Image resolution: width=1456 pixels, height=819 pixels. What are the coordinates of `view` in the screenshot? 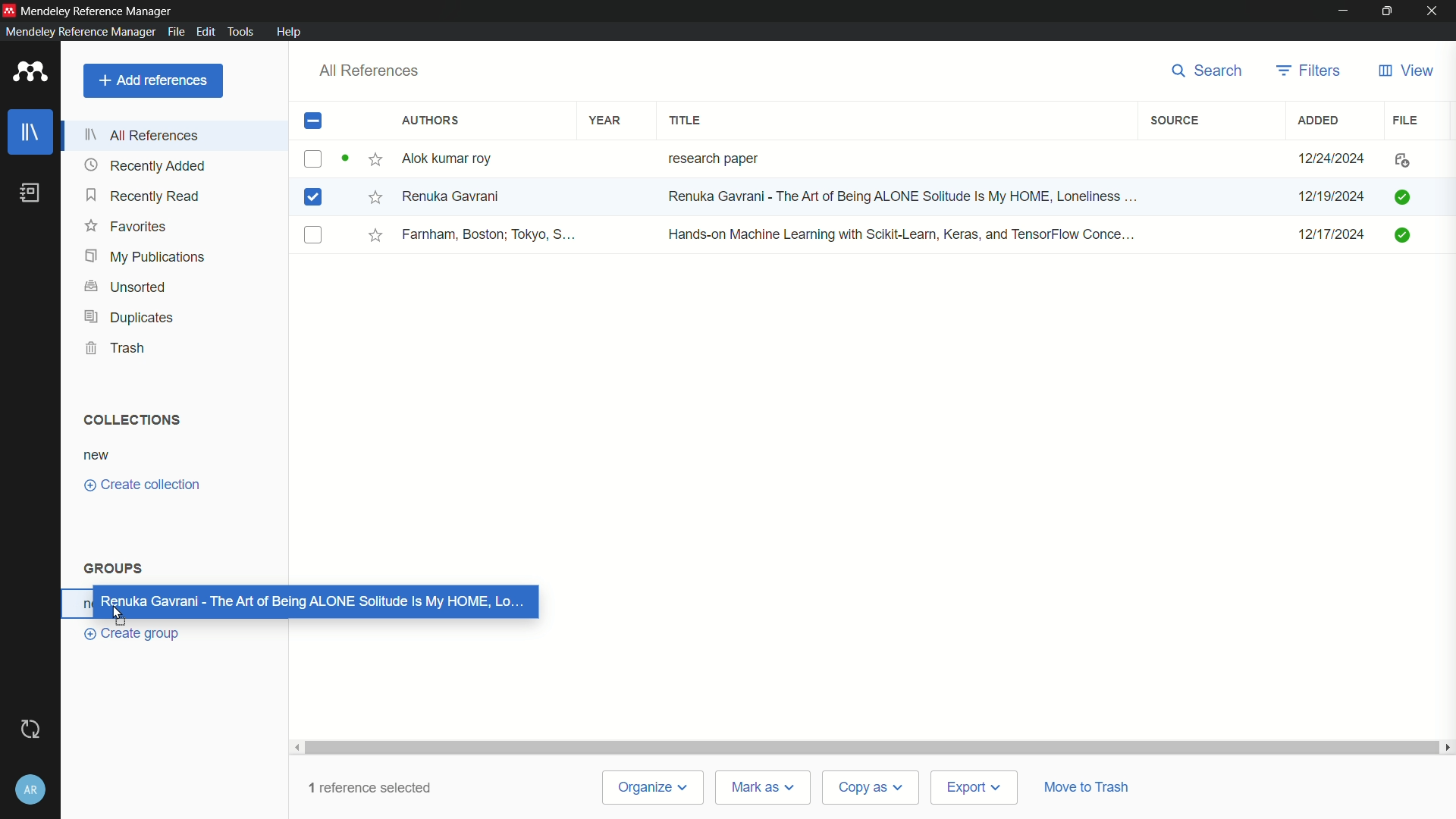 It's located at (1404, 71).